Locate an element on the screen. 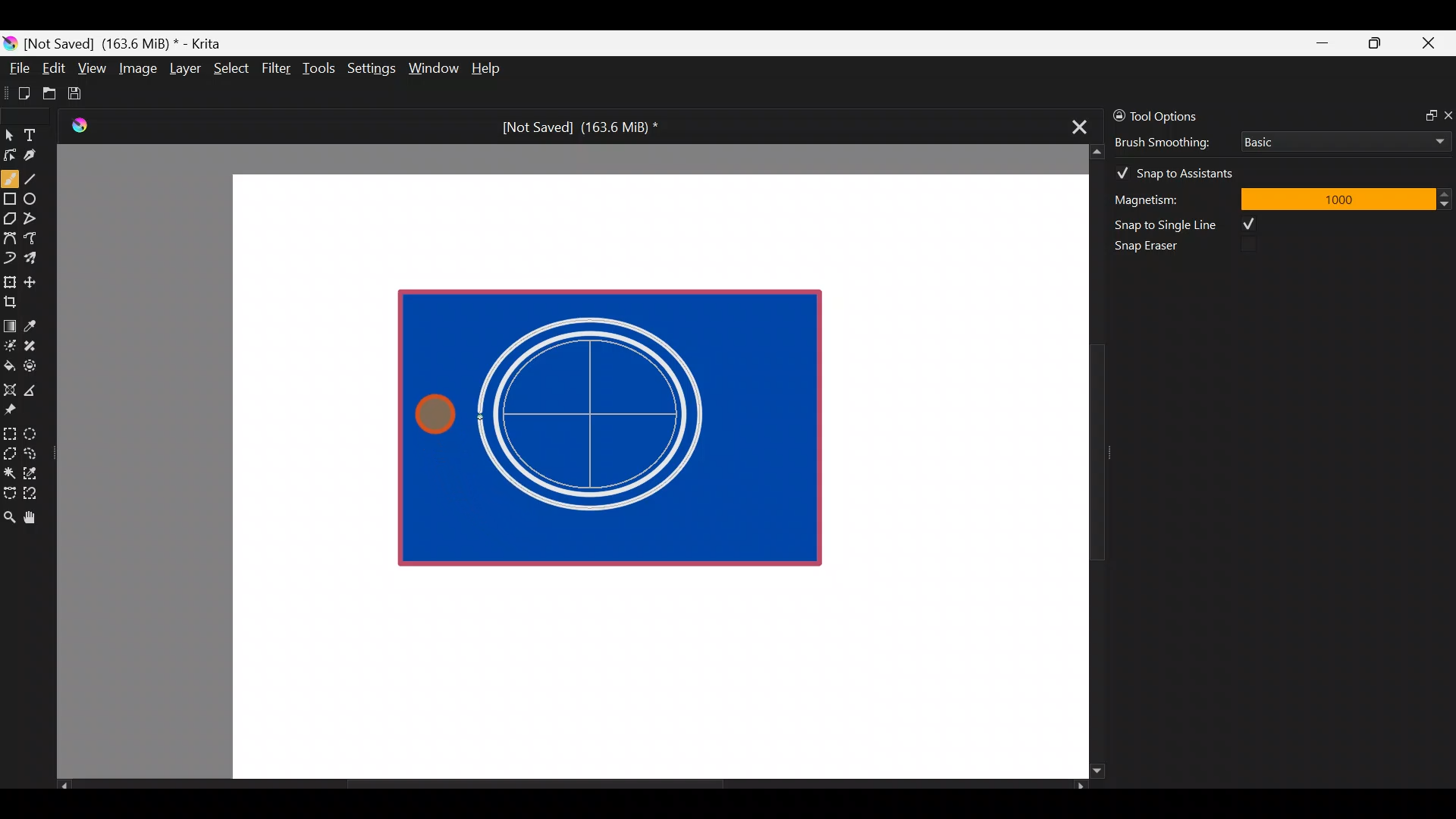 This screenshot has width=1456, height=819. 1000 is located at coordinates (1337, 198).